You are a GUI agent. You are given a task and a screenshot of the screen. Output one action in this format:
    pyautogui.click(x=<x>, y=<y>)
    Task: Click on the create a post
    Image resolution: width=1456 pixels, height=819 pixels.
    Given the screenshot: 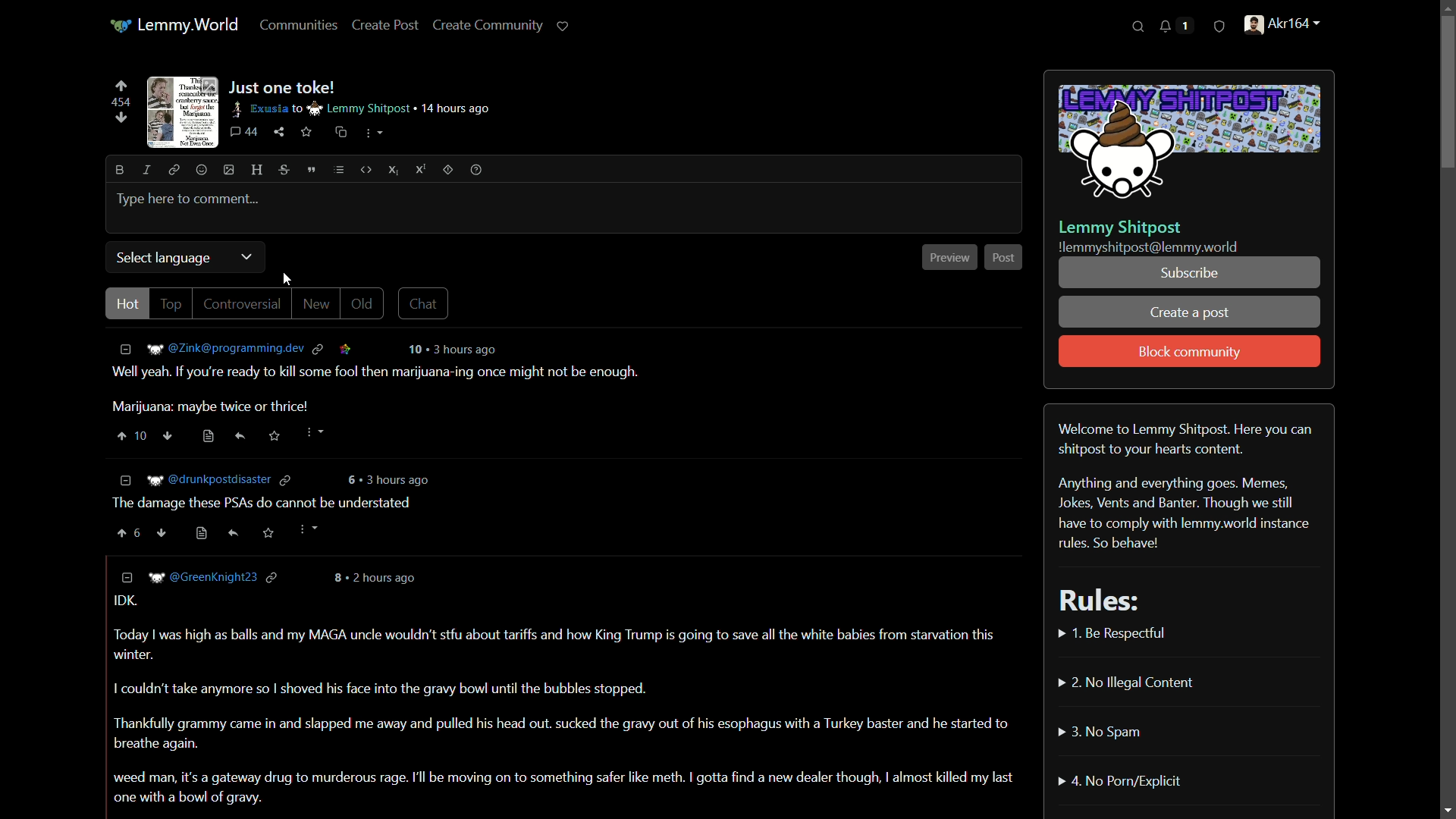 What is the action you would take?
    pyautogui.click(x=1194, y=313)
    